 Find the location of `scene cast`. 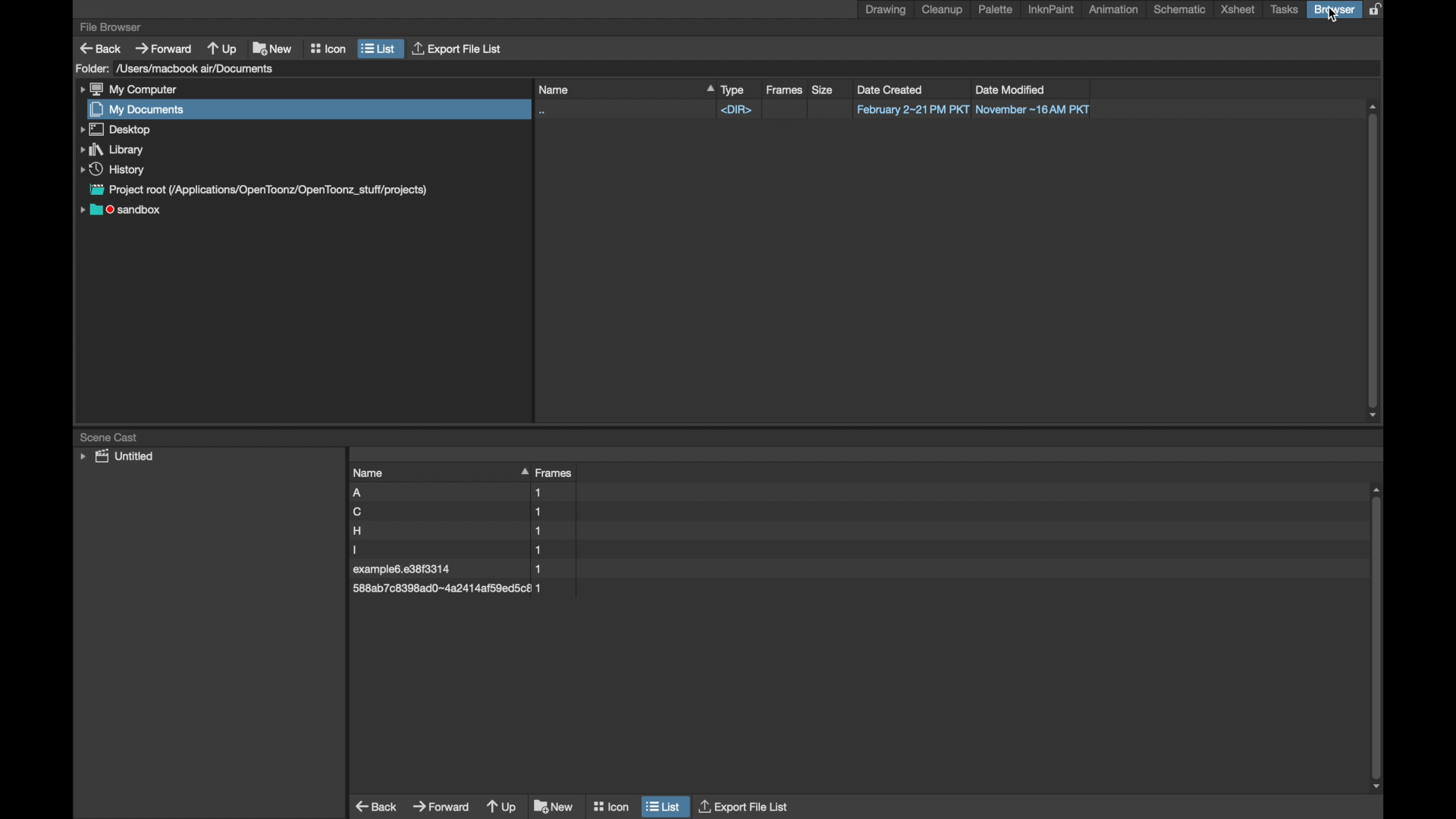

scene cast is located at coordinates (111, 437).